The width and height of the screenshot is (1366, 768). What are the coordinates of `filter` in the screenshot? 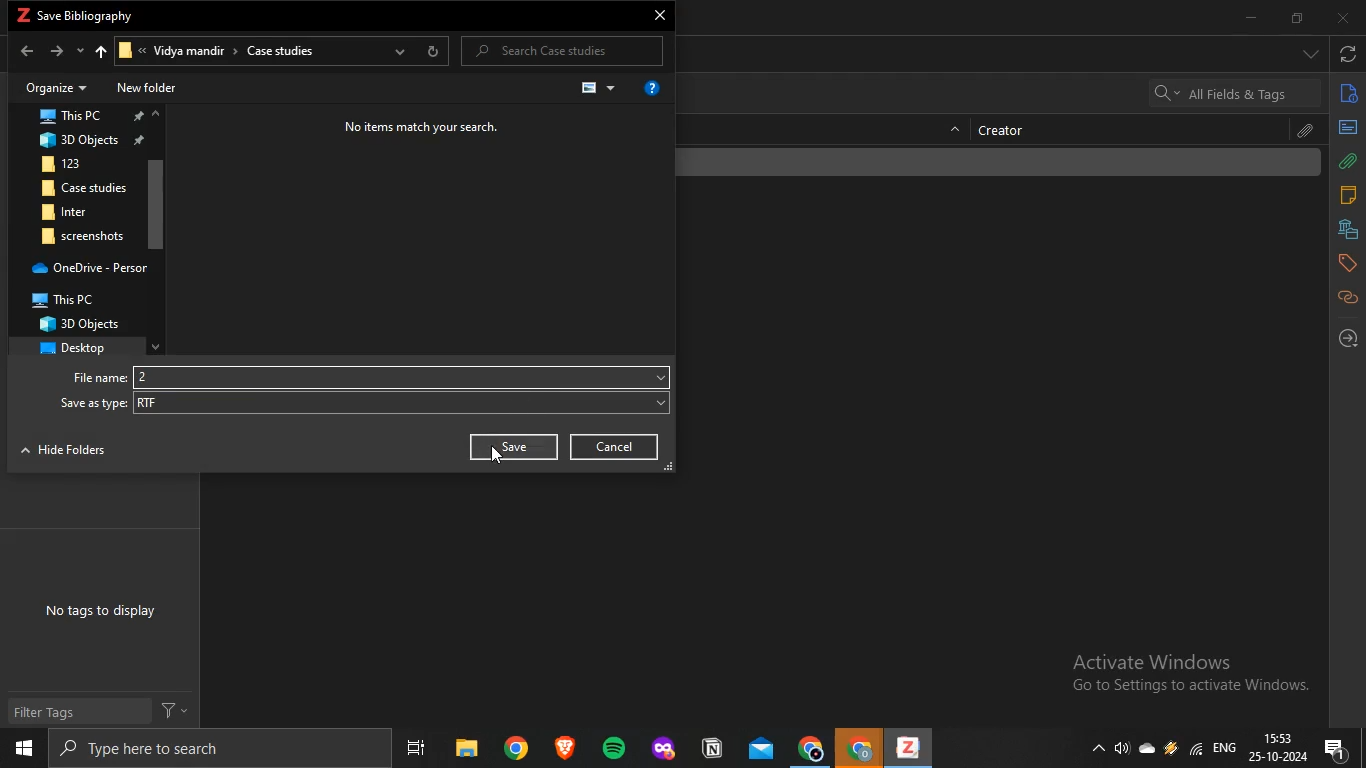 It's located at (177, 709).